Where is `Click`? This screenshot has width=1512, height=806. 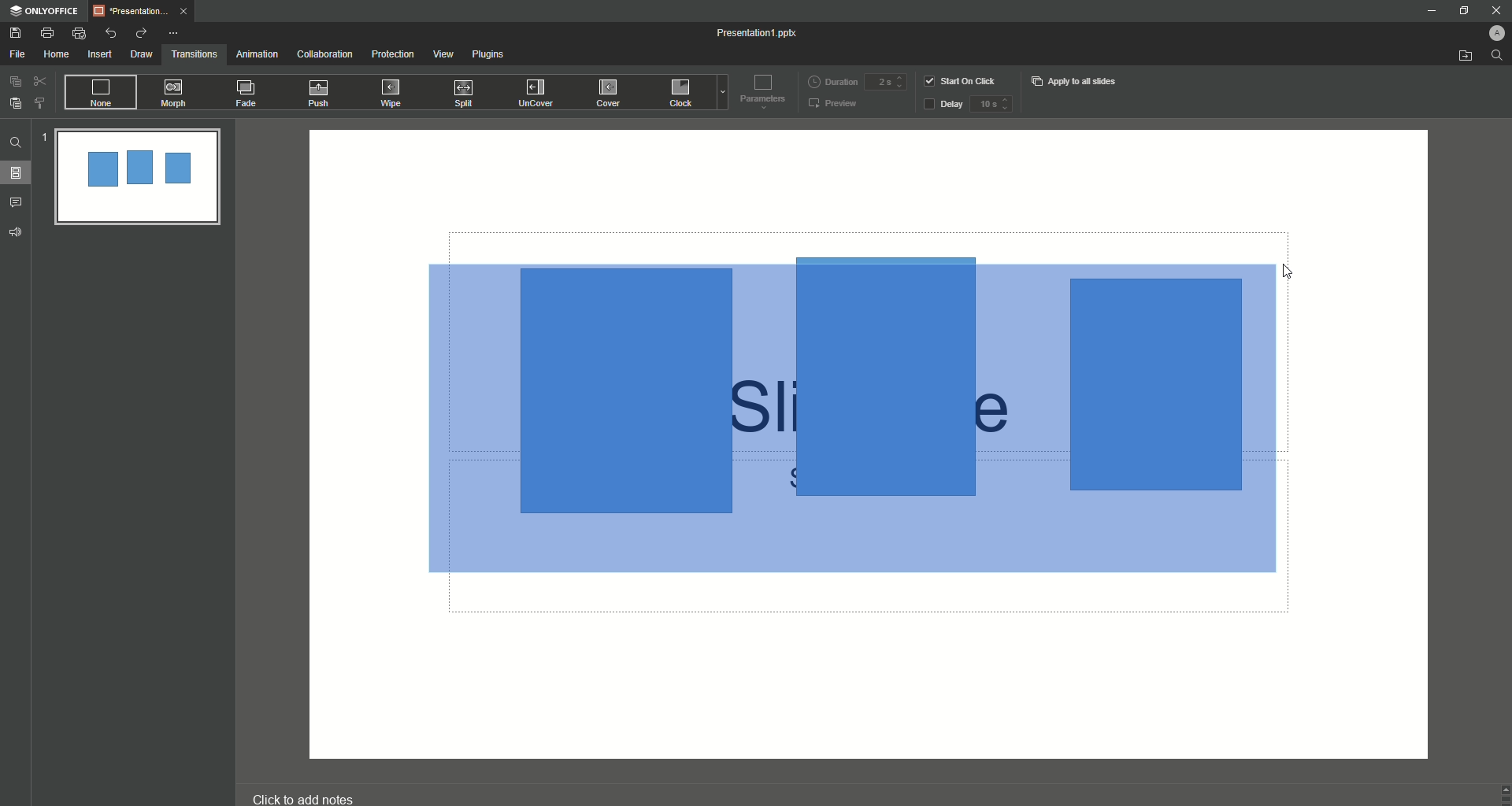 Click is located at coordinates (683, 95).